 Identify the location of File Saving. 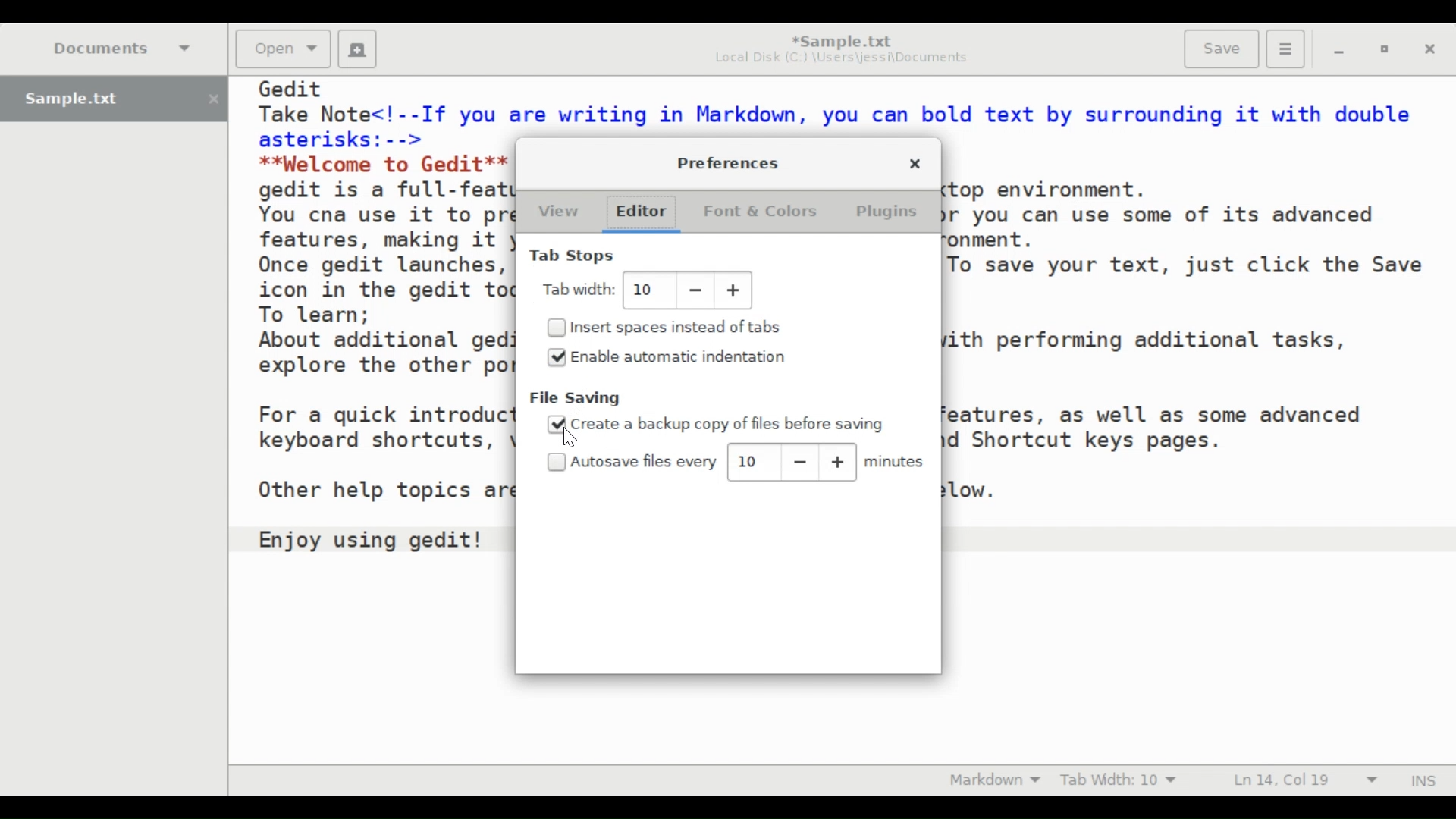
(577, 398).